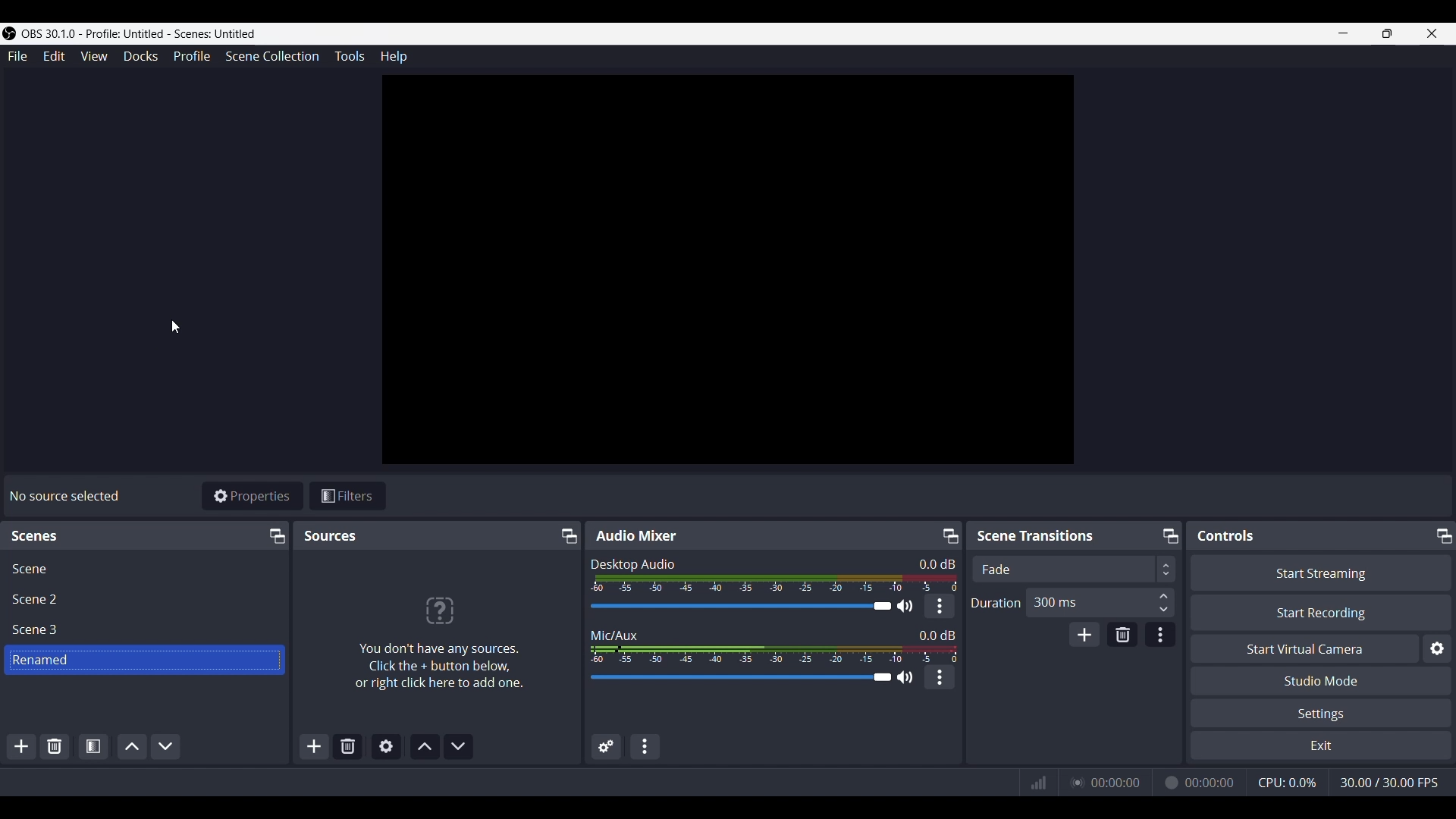  I want to click on Add source, so click(315, 745).